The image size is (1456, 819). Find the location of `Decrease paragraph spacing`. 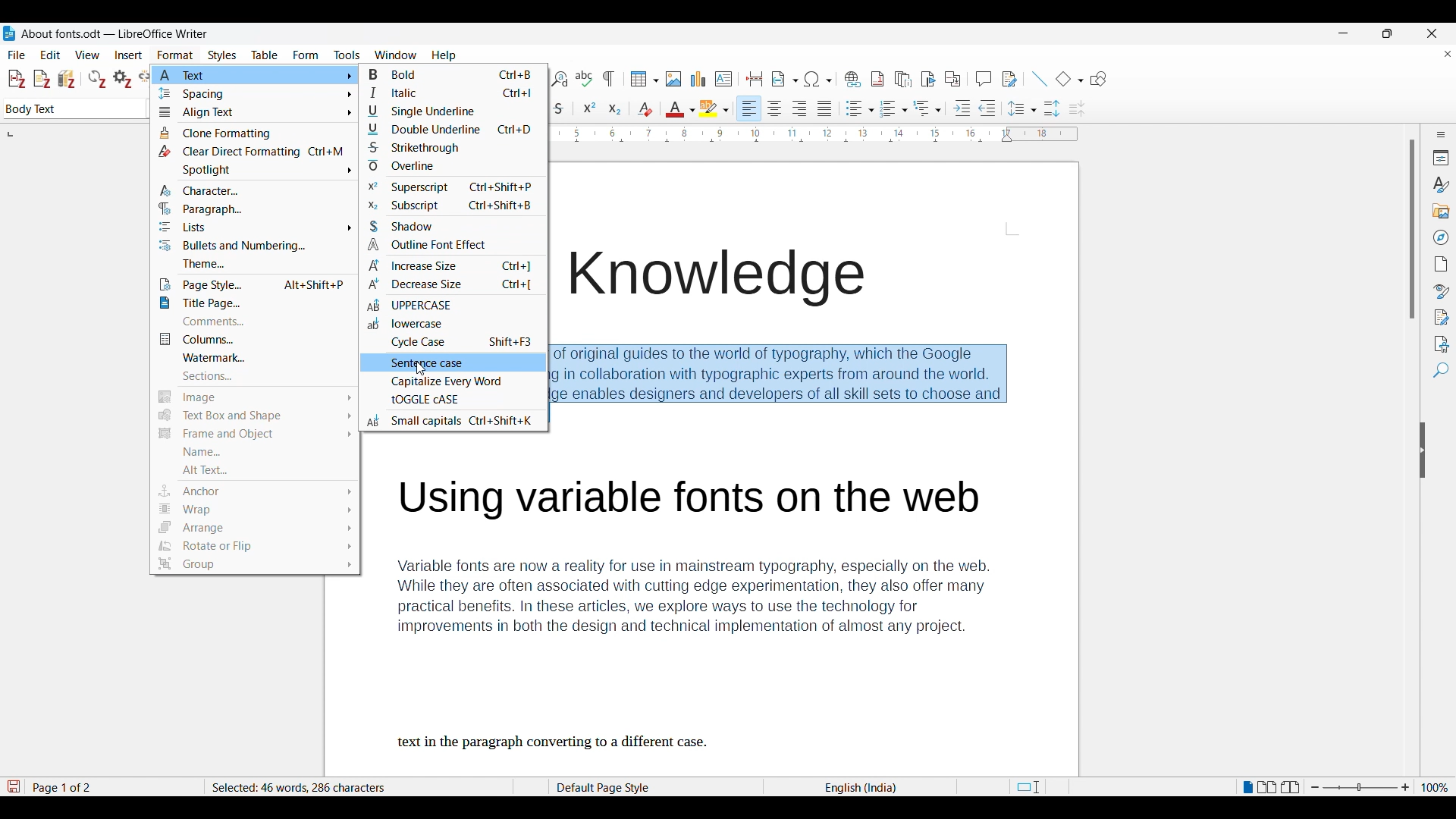

Decrease paragraph spacing is located at coordinates (1078, 109).